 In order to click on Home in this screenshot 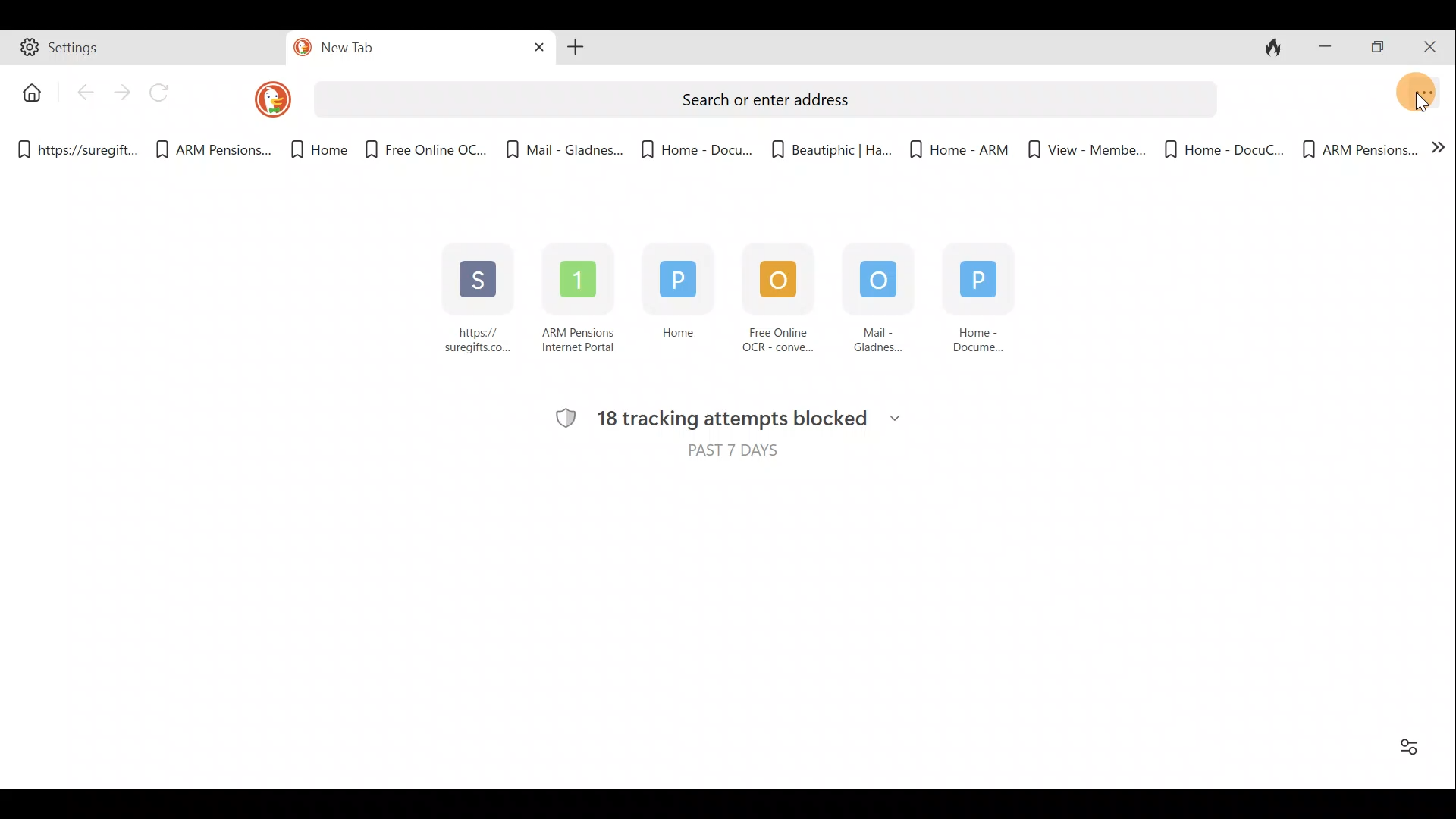, I will do `click(28, 91)`.